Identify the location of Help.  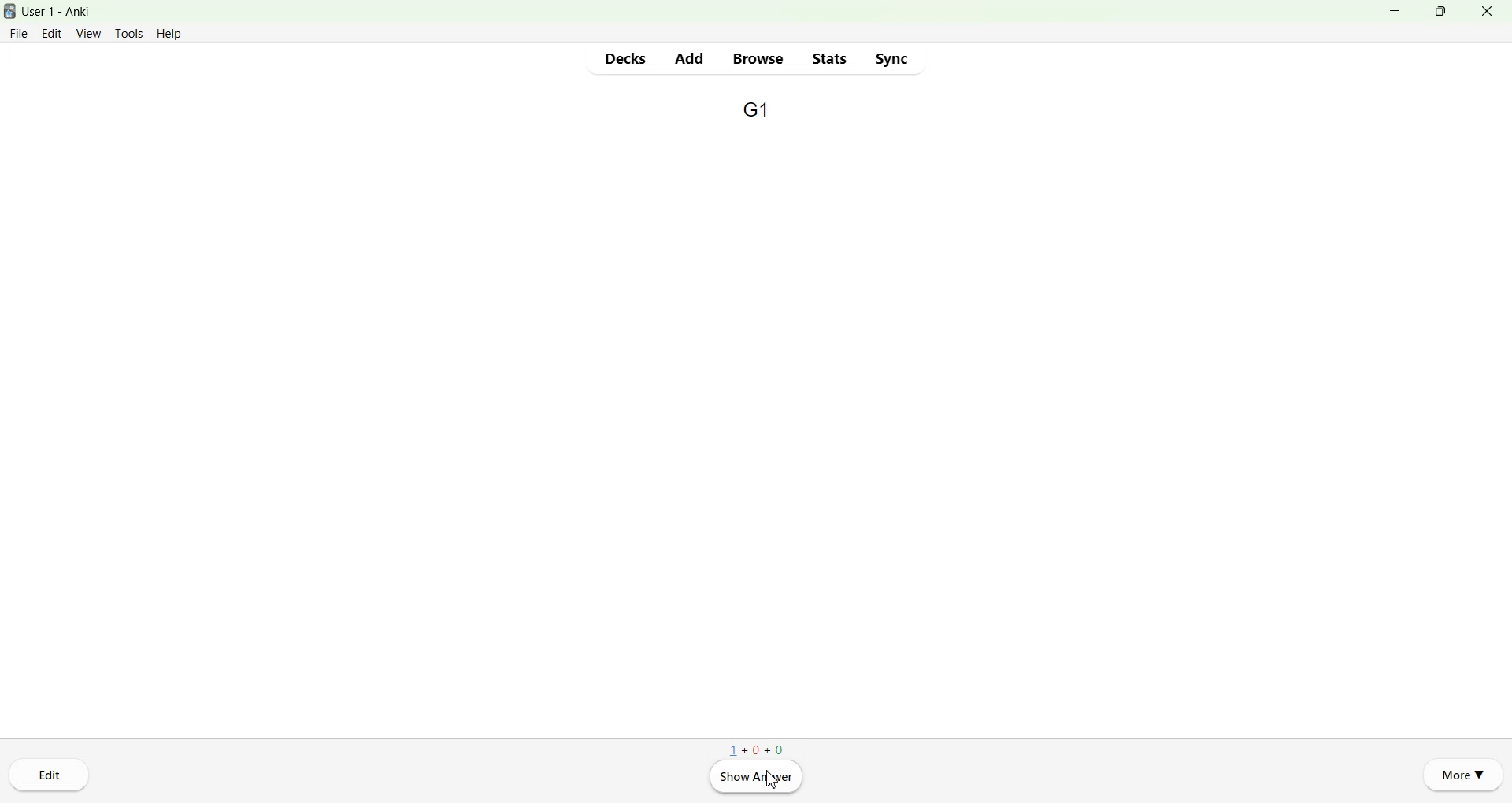
(169, 34).